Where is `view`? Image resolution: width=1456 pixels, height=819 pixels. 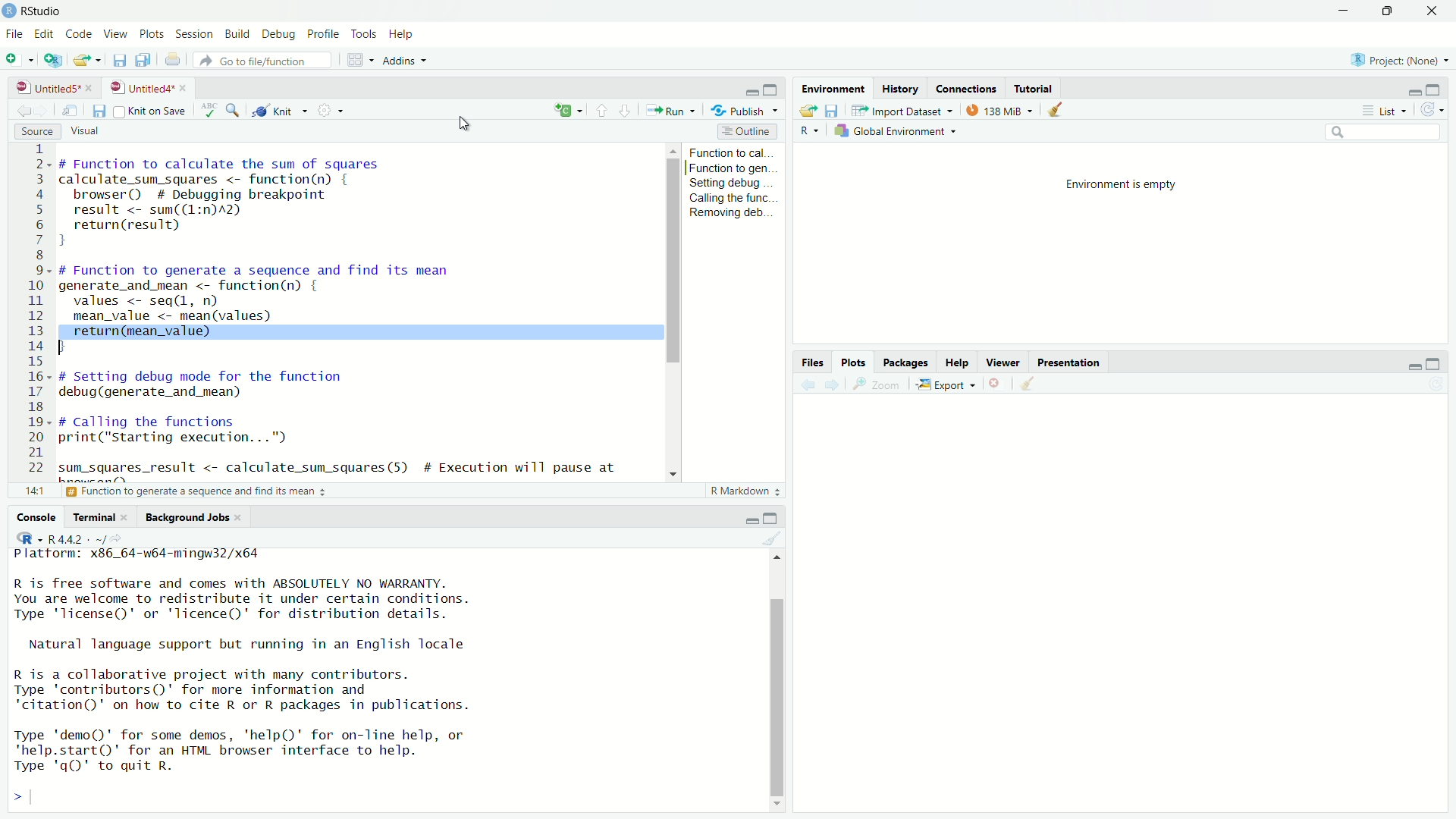
view is located at coordinates (118, 33).